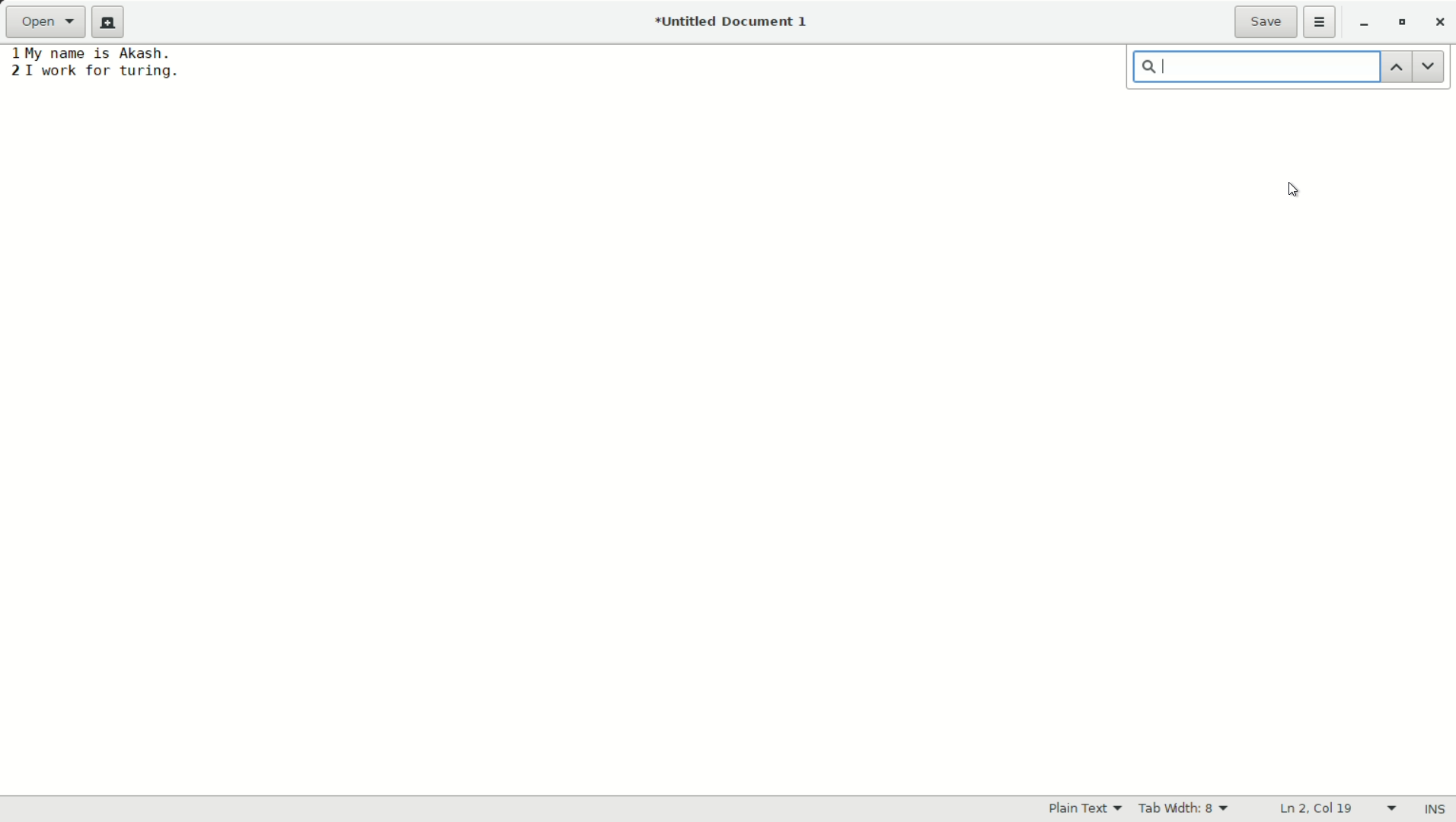 This screenshot has width=1456, height=822. Describe the element at coordinates (1429, 65) in the screenshot. I see `next ` at that location.